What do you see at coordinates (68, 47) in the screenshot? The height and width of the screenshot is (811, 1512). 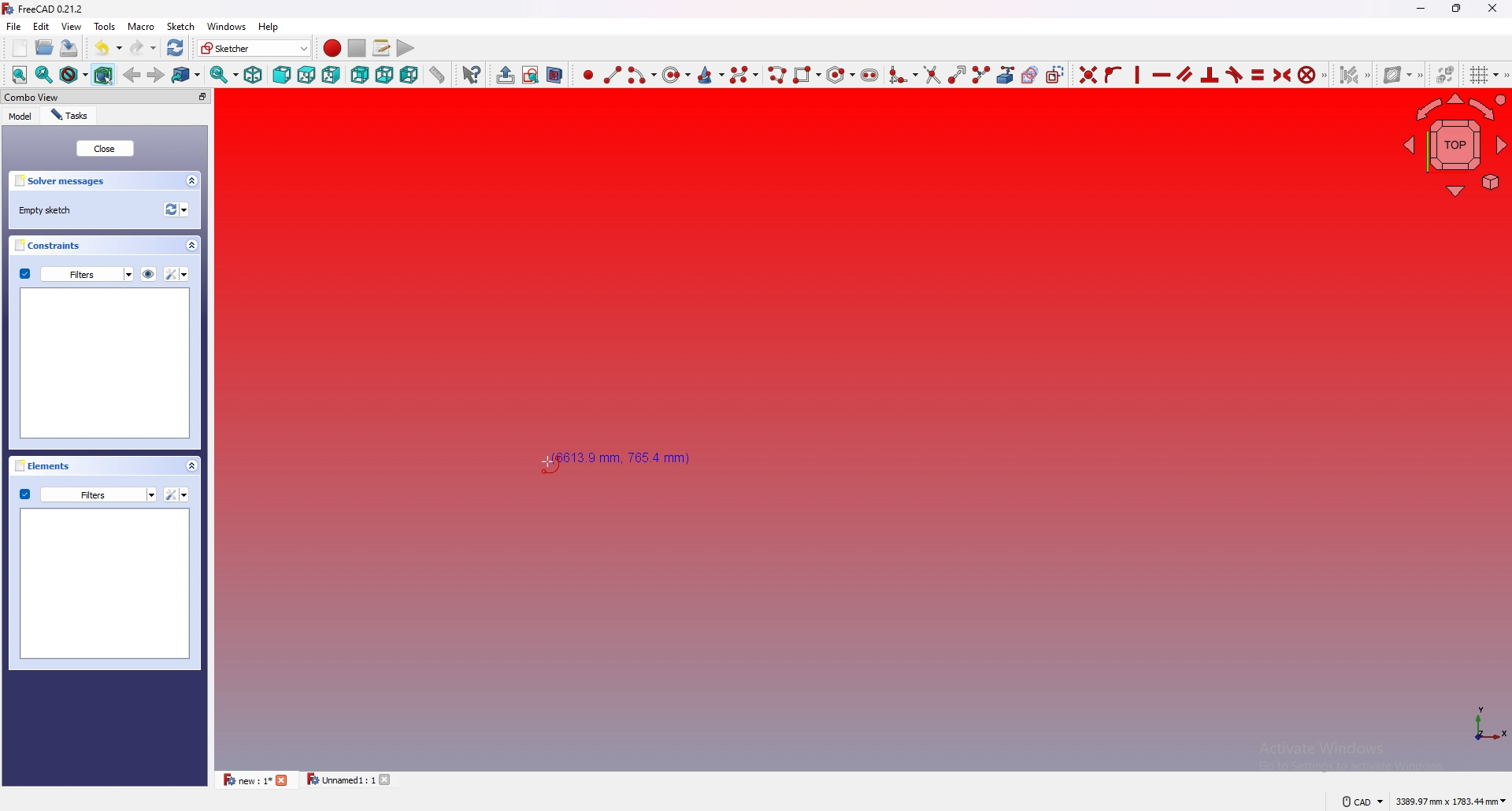 I see `save` at bounding box center [68, 47].